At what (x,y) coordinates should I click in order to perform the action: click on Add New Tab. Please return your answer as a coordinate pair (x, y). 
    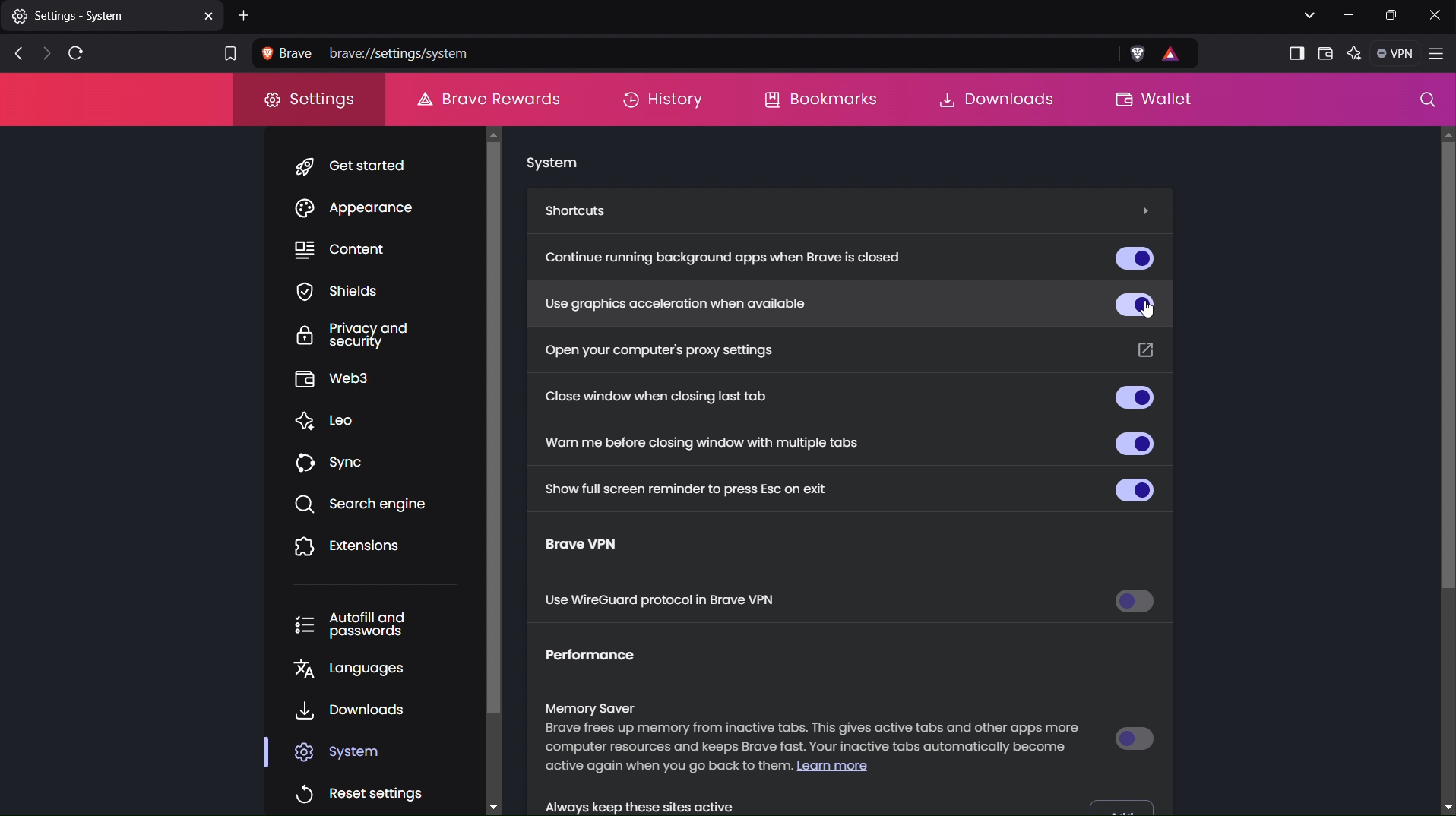
    Looking at the image, I should click on (246, 14).